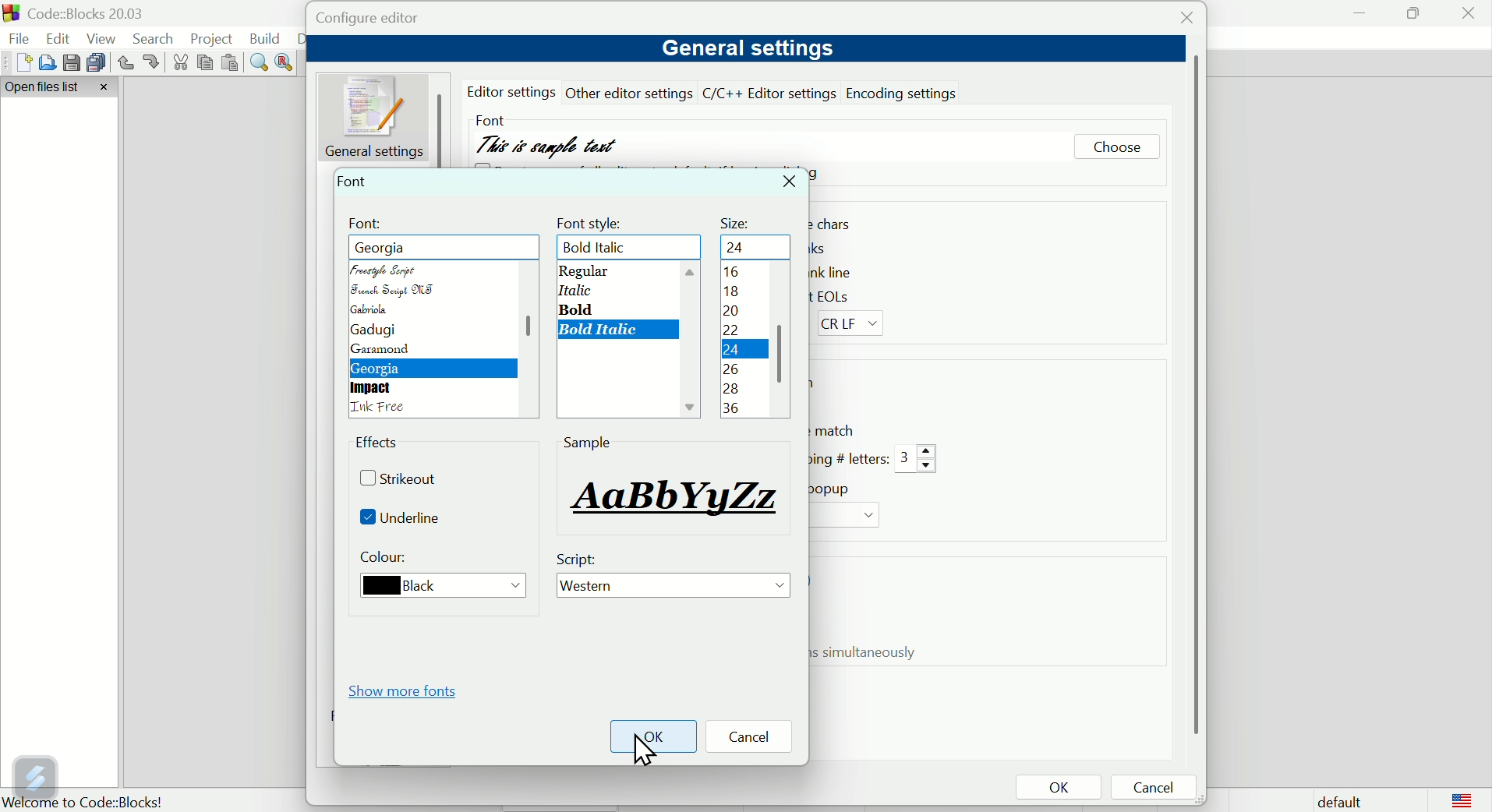  I want to click on Underline, so click(407, 519).